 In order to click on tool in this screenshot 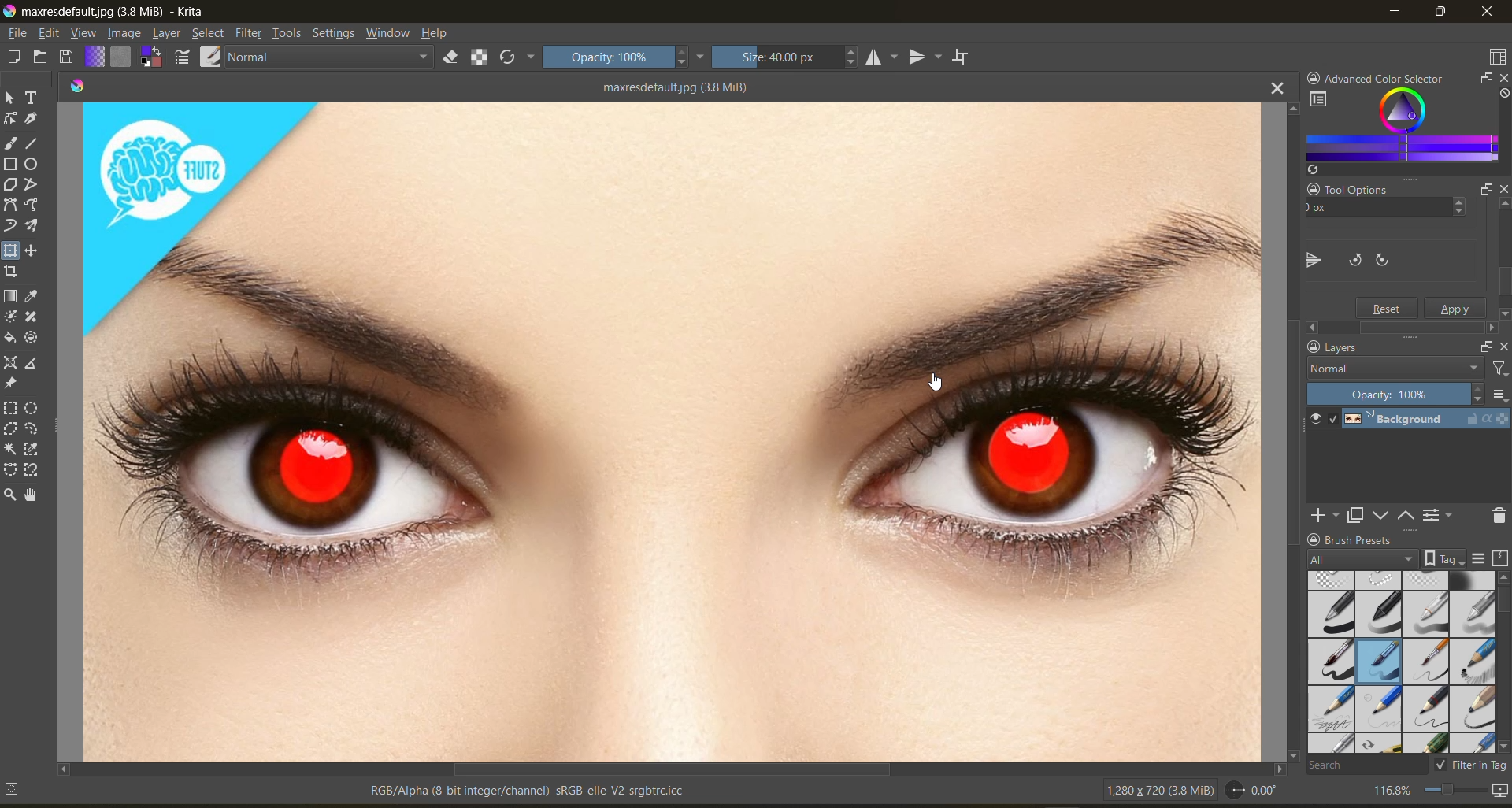, I will do `click(33, 429)`.